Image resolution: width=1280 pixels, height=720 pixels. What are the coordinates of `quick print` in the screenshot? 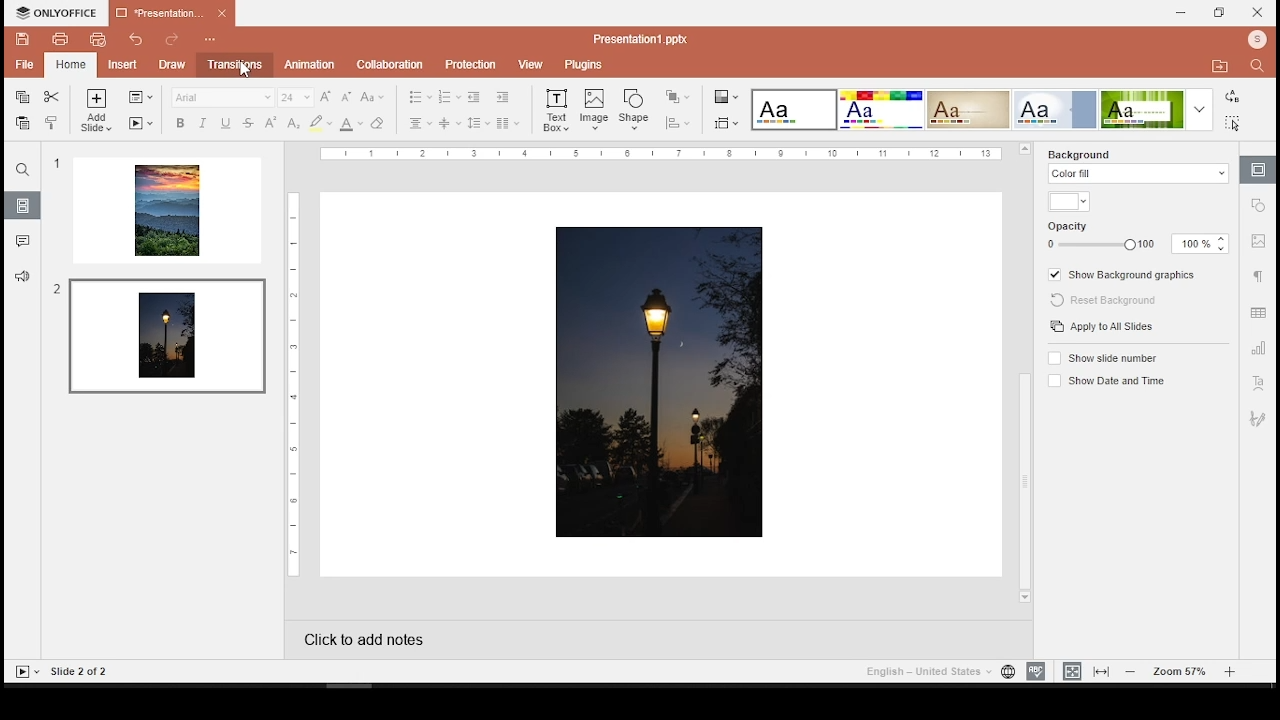 It's located at (93, 39).